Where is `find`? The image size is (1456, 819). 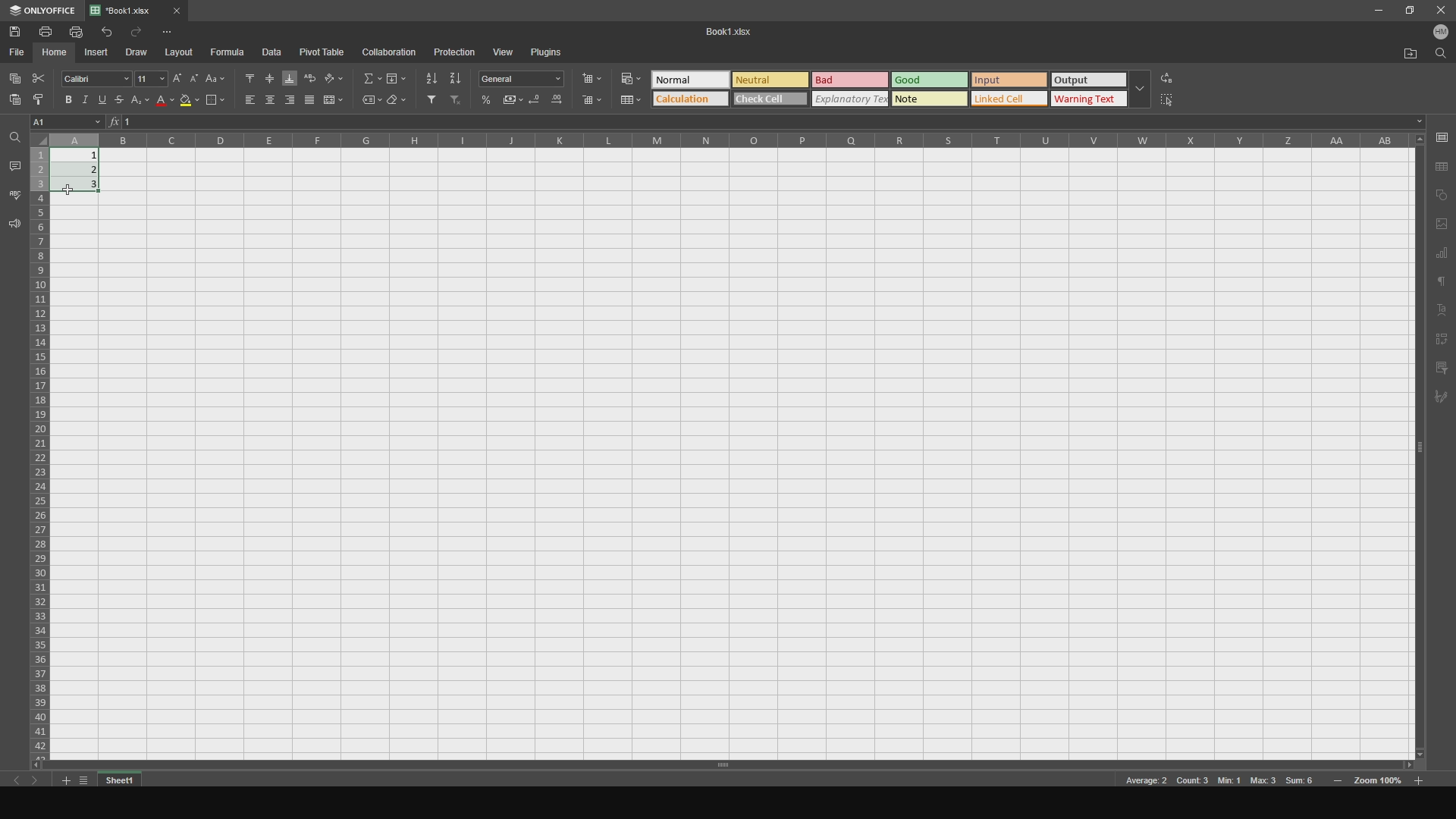
find is located at coordinates (1439, 56).